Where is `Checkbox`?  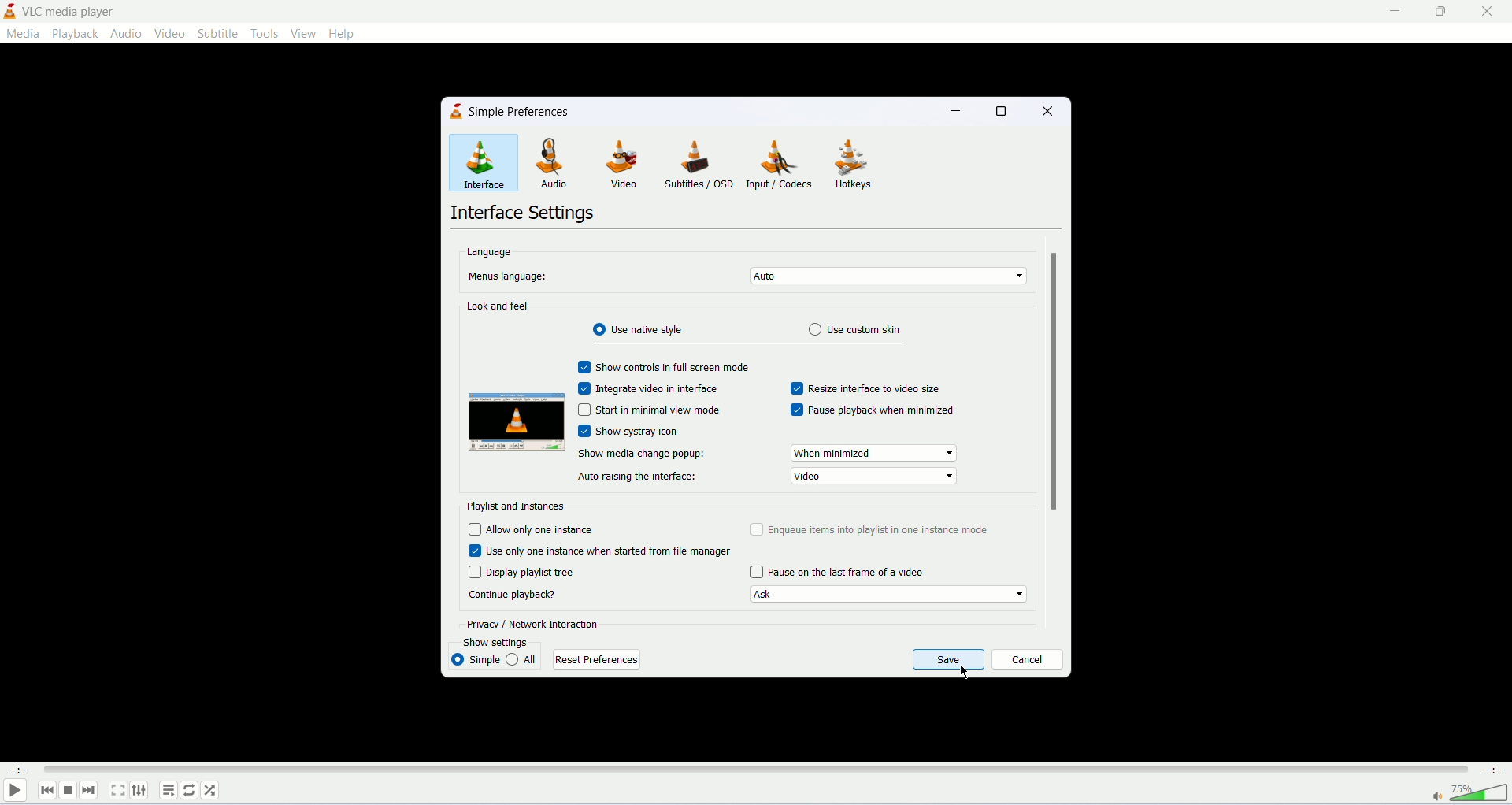 Checkbox is located at coordinates (796, 410).